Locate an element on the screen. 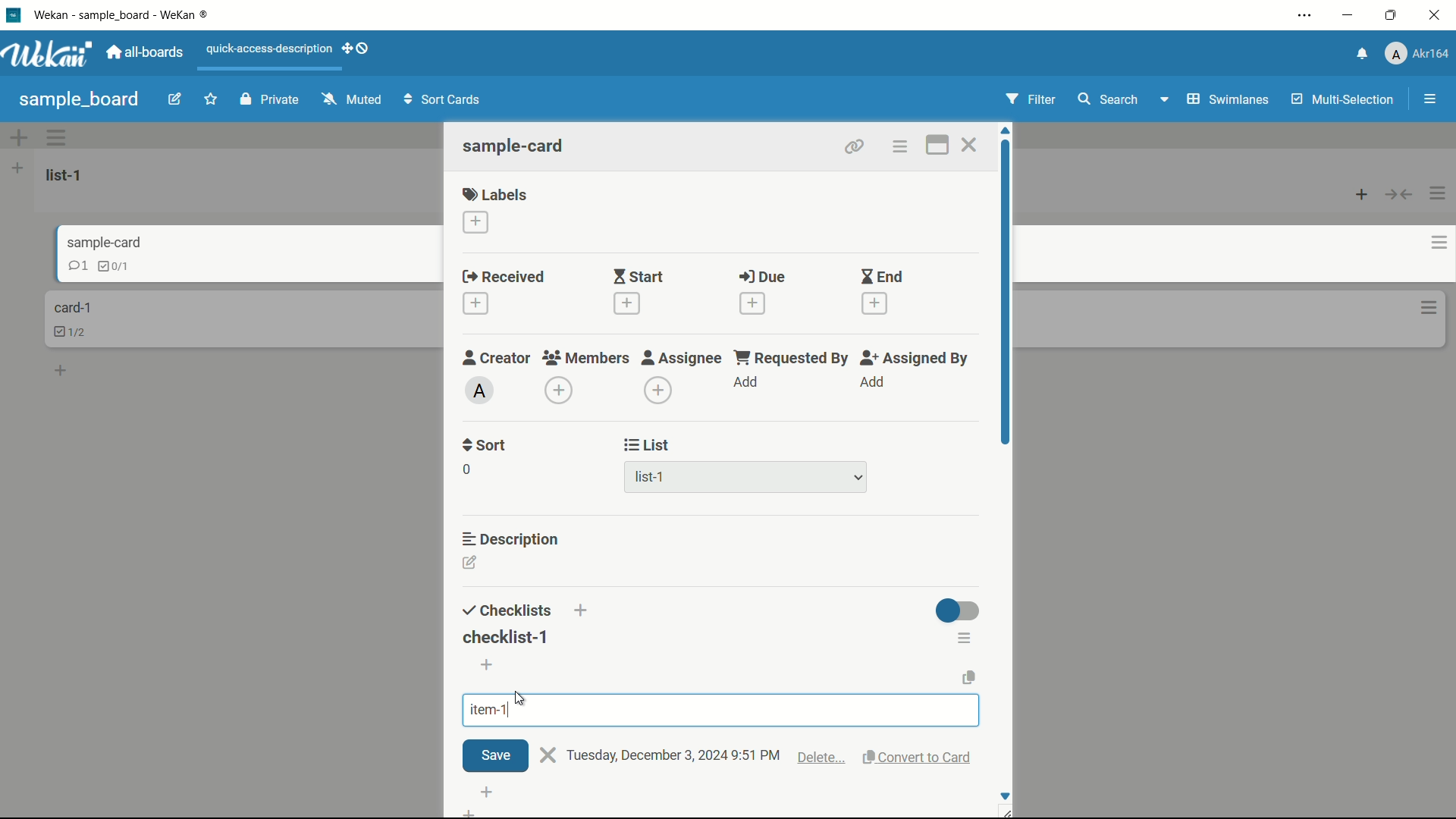  swimlane actions is located at coordinates (57, 136).